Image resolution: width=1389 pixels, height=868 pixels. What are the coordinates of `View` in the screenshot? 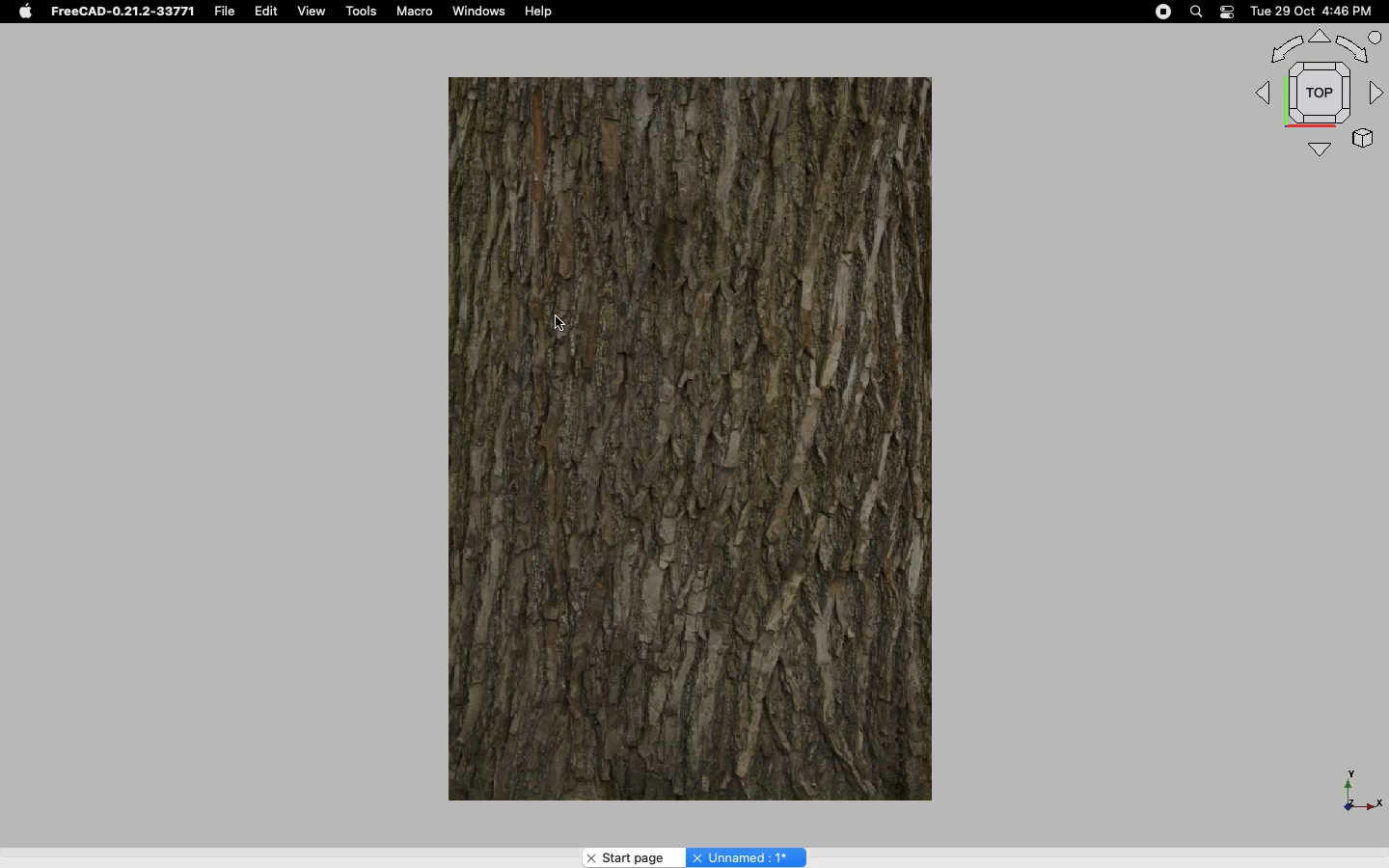 It's located at (312, 12).